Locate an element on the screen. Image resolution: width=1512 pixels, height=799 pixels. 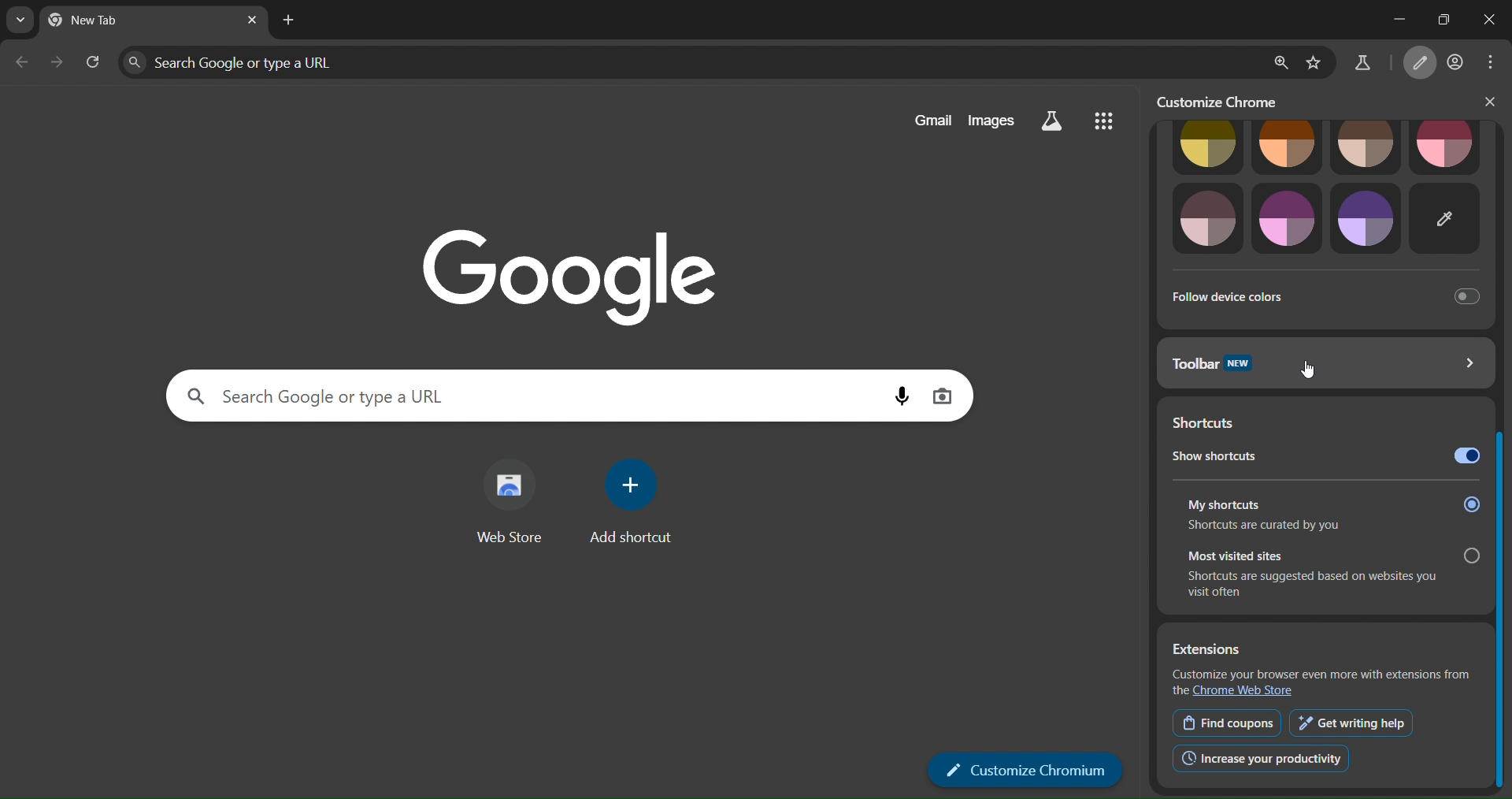
close is located at coordinates (1487, 23).